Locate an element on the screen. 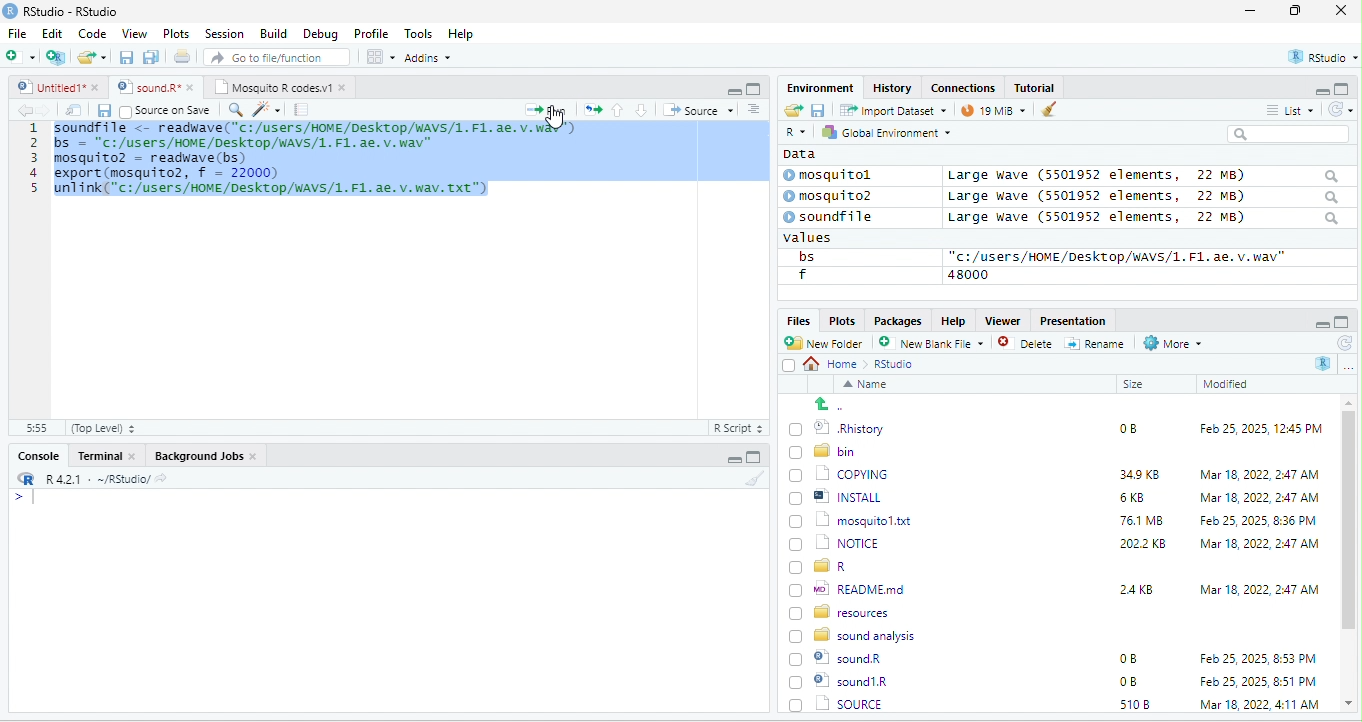 The width and height of the screenshot is (1362, 722). (Top Level) + is located at coordinates (103, 428).